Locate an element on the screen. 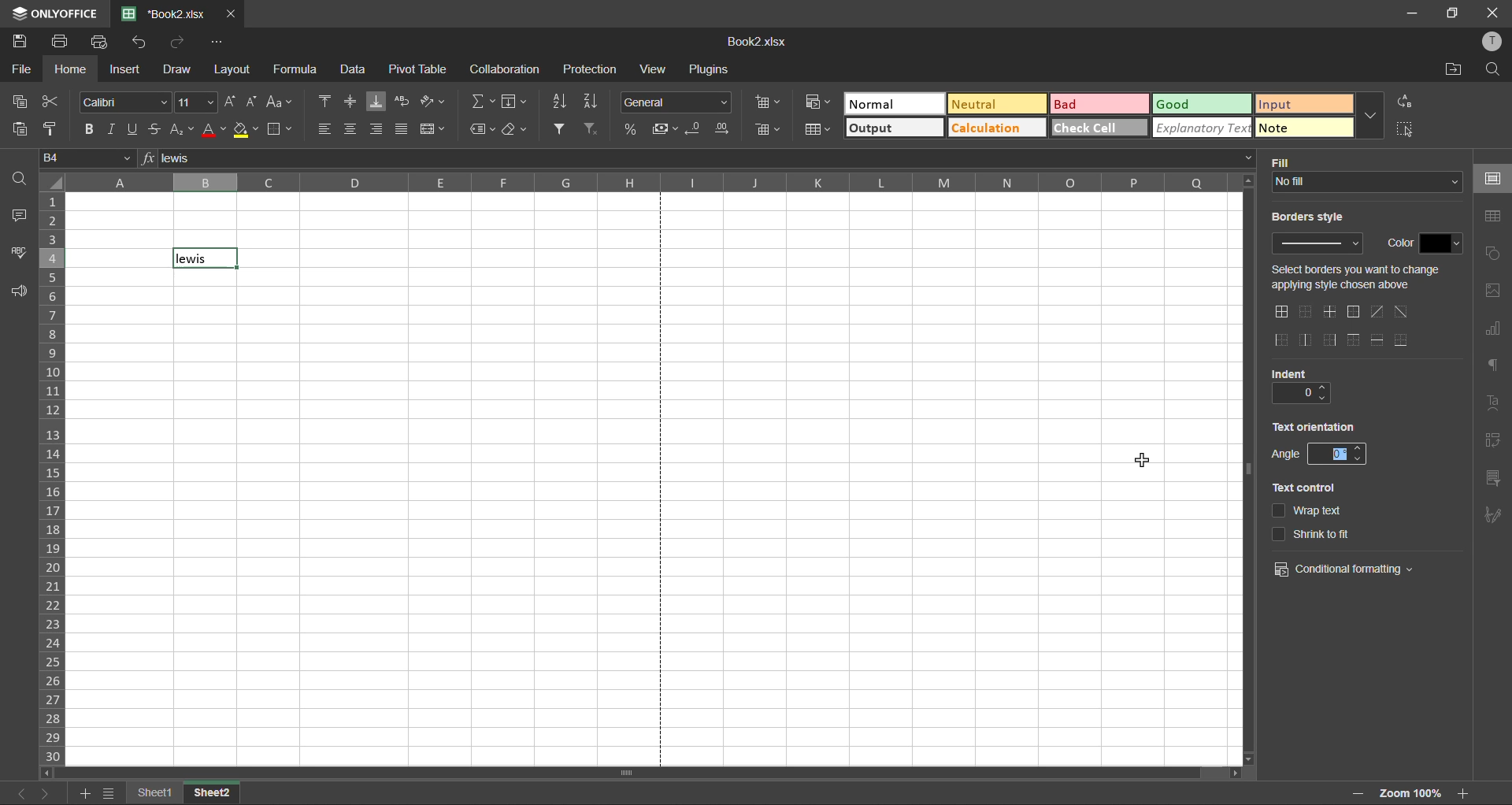 The image size is (1512, 805). increase angle is located at coordinates (1361, 447).